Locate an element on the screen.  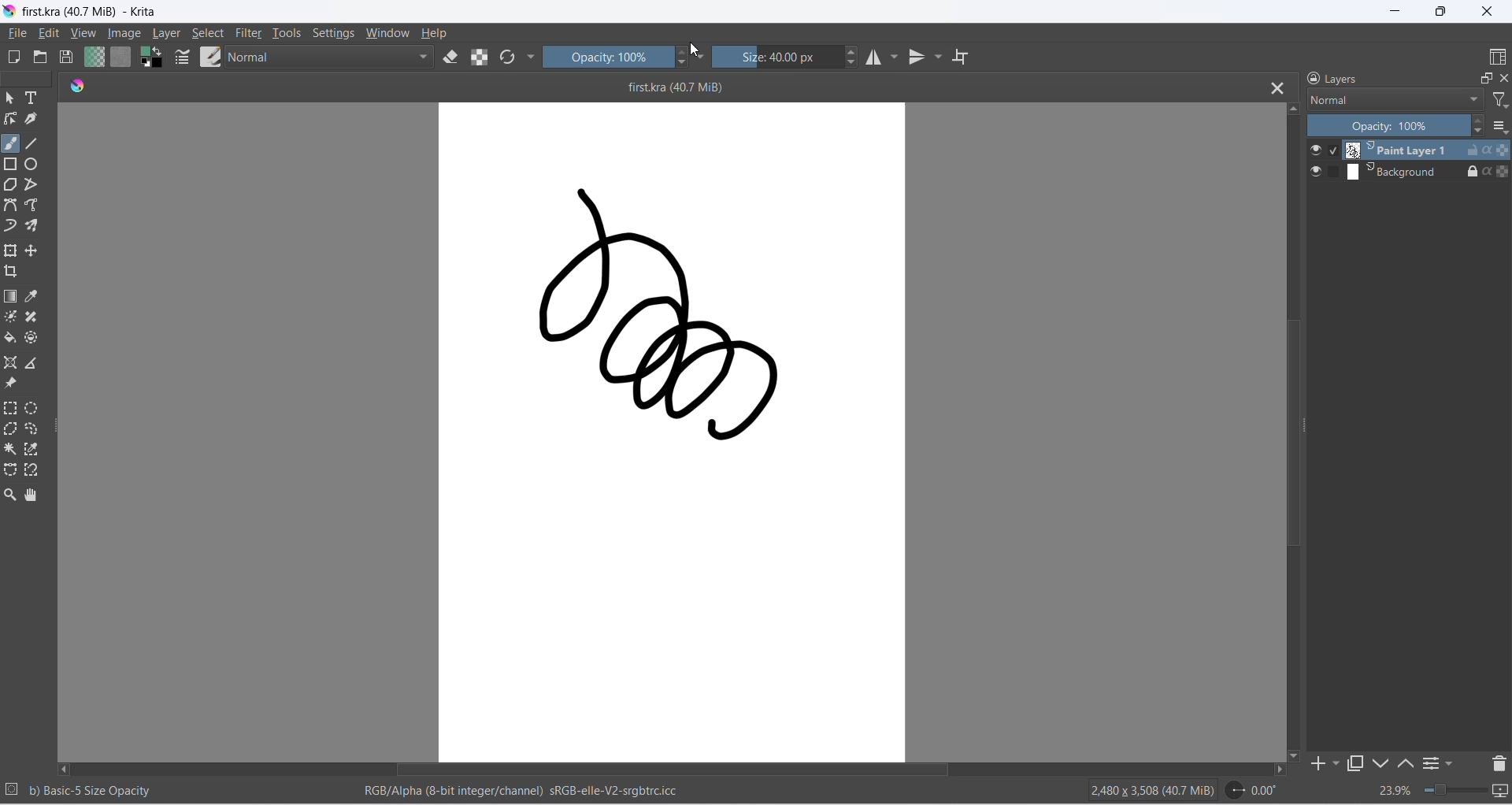
dynamic brush tool is located at coordinates (10, 226).